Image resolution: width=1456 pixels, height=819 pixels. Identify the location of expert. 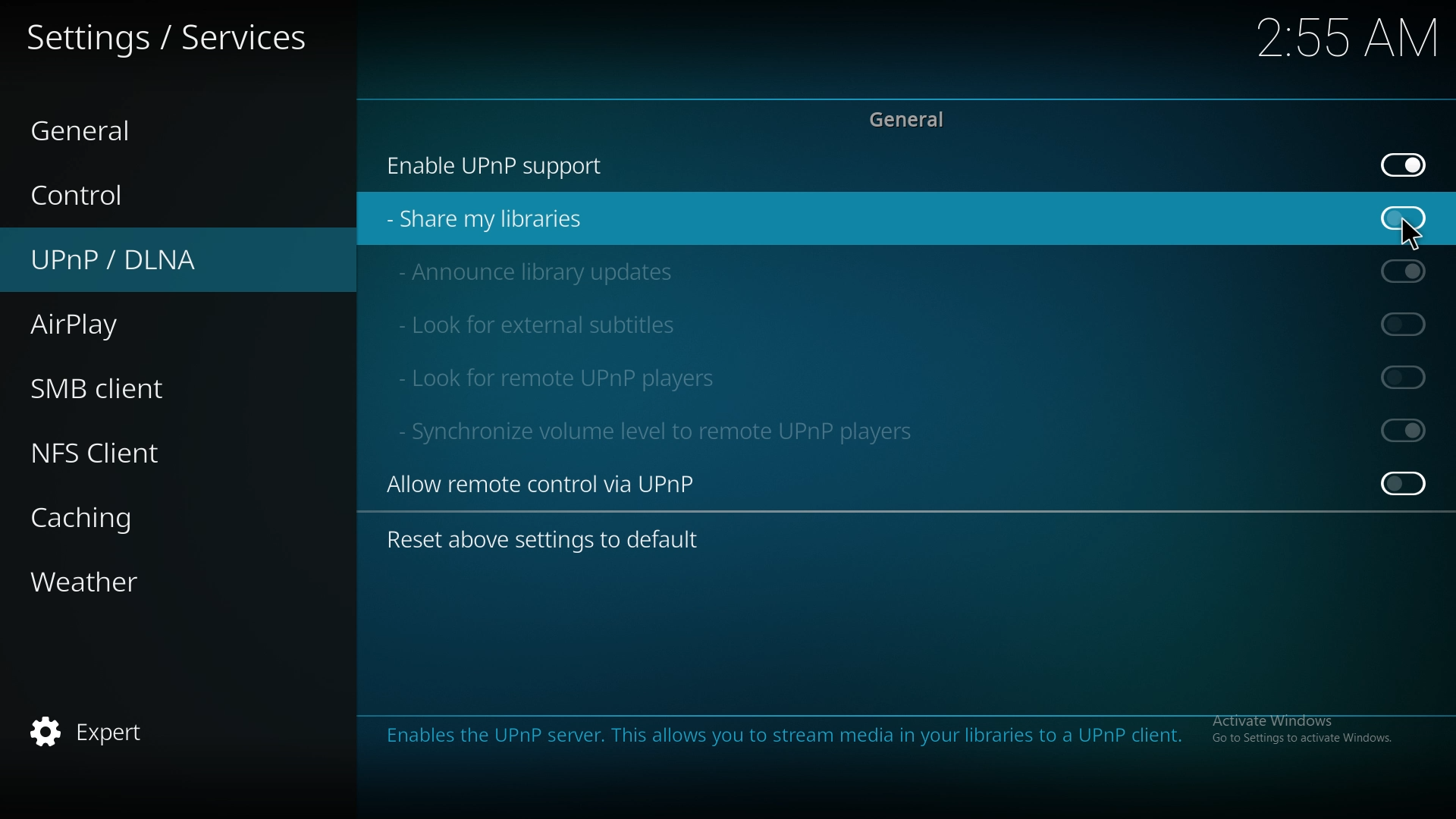
(98, 735).